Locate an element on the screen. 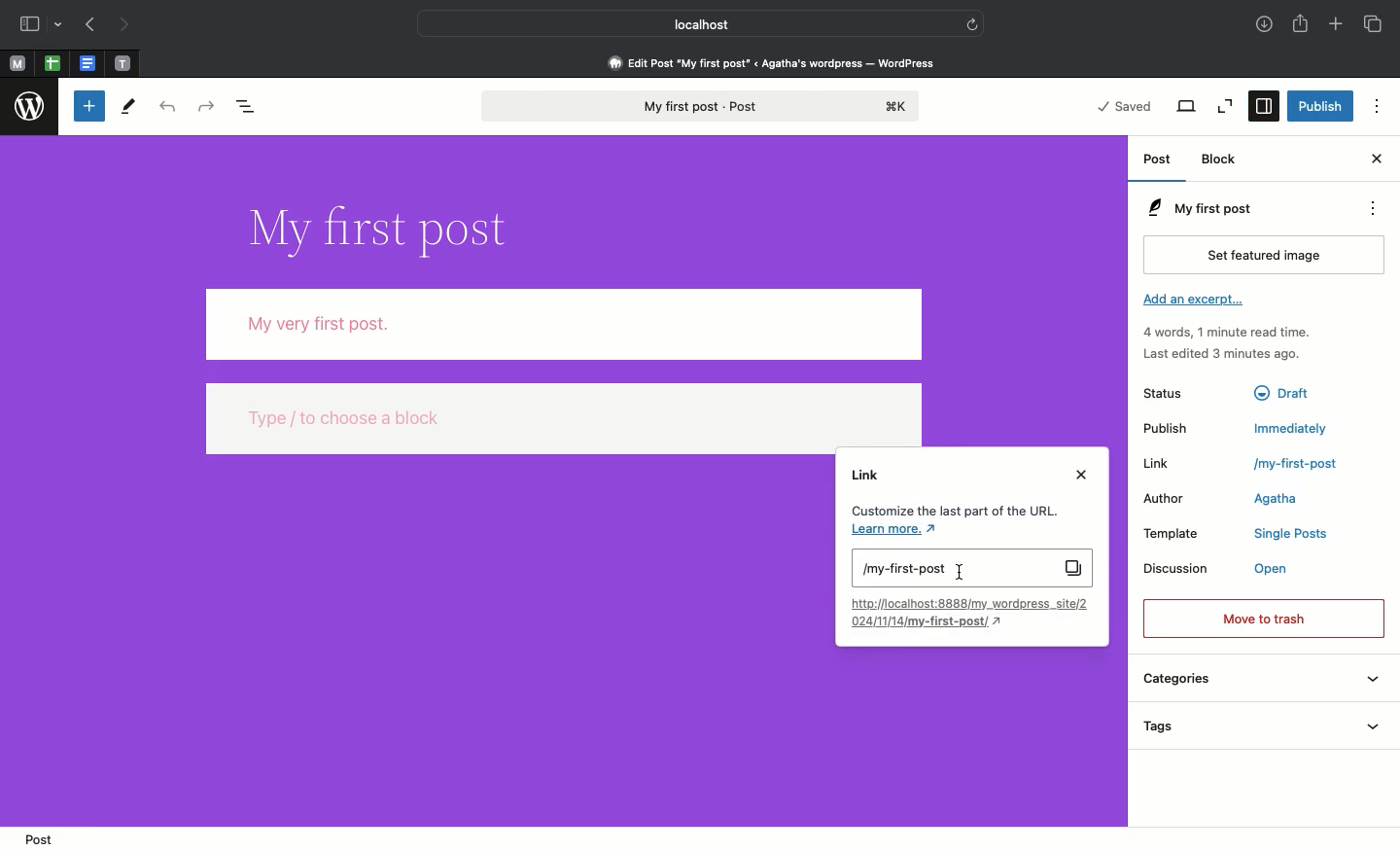  Options is located at coordinates (1379, 105).